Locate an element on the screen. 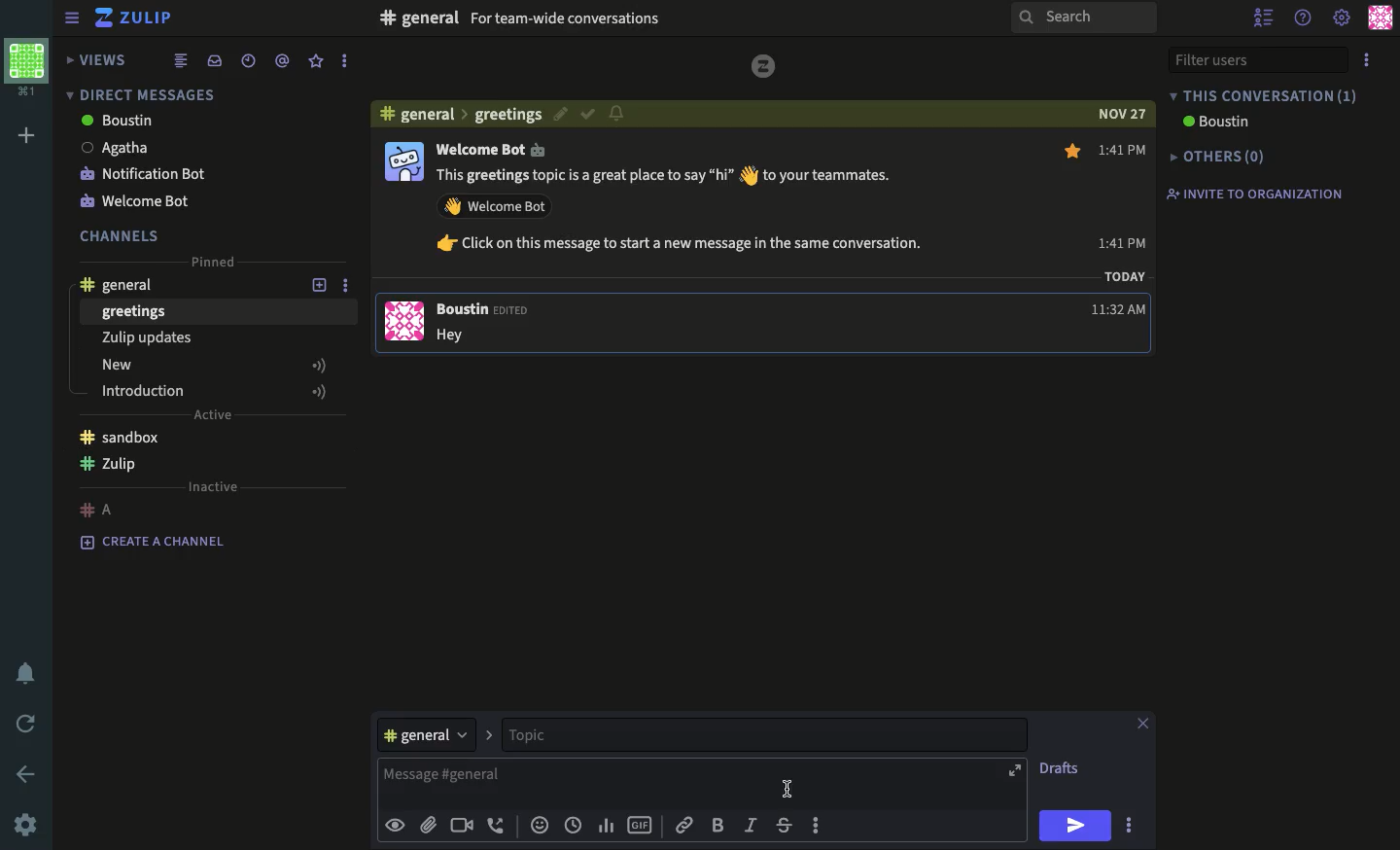 The image size is (1400, 850). introduction is located at coordinates (216, 391).